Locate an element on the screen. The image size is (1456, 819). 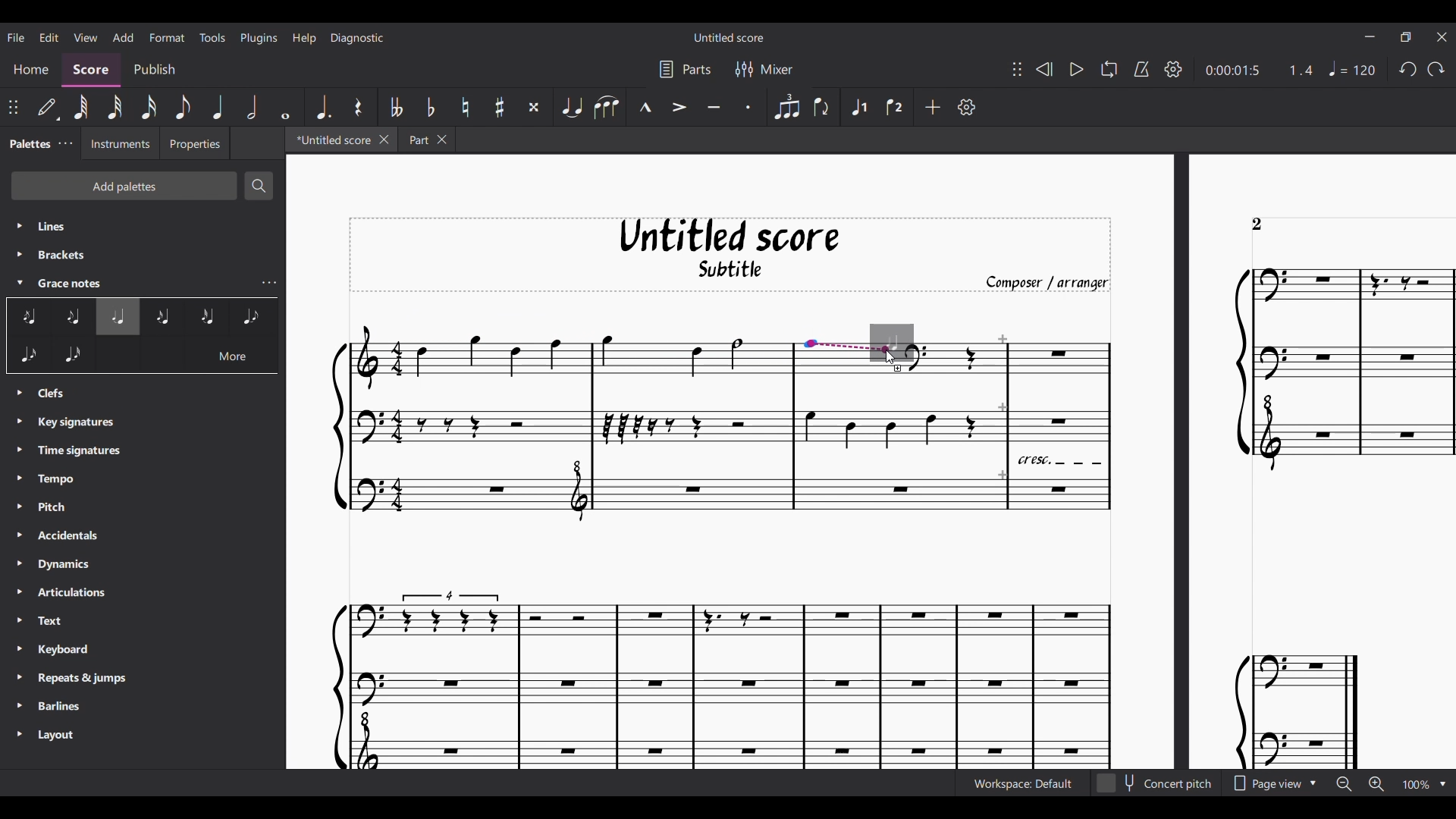
Marcato is located at coordinates (644, 107).